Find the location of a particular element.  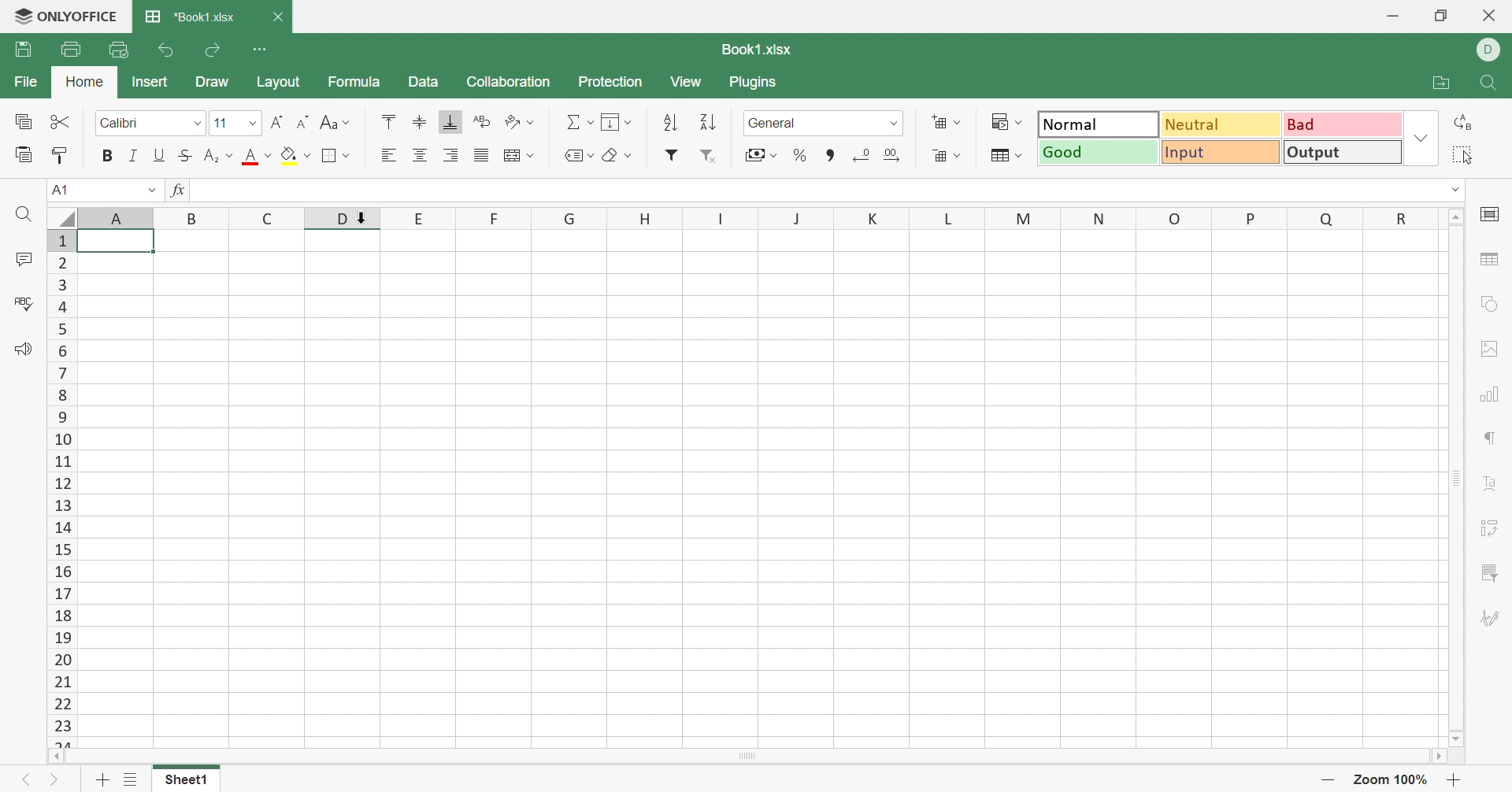

Chart settings is located at coordinates (1494, 394).